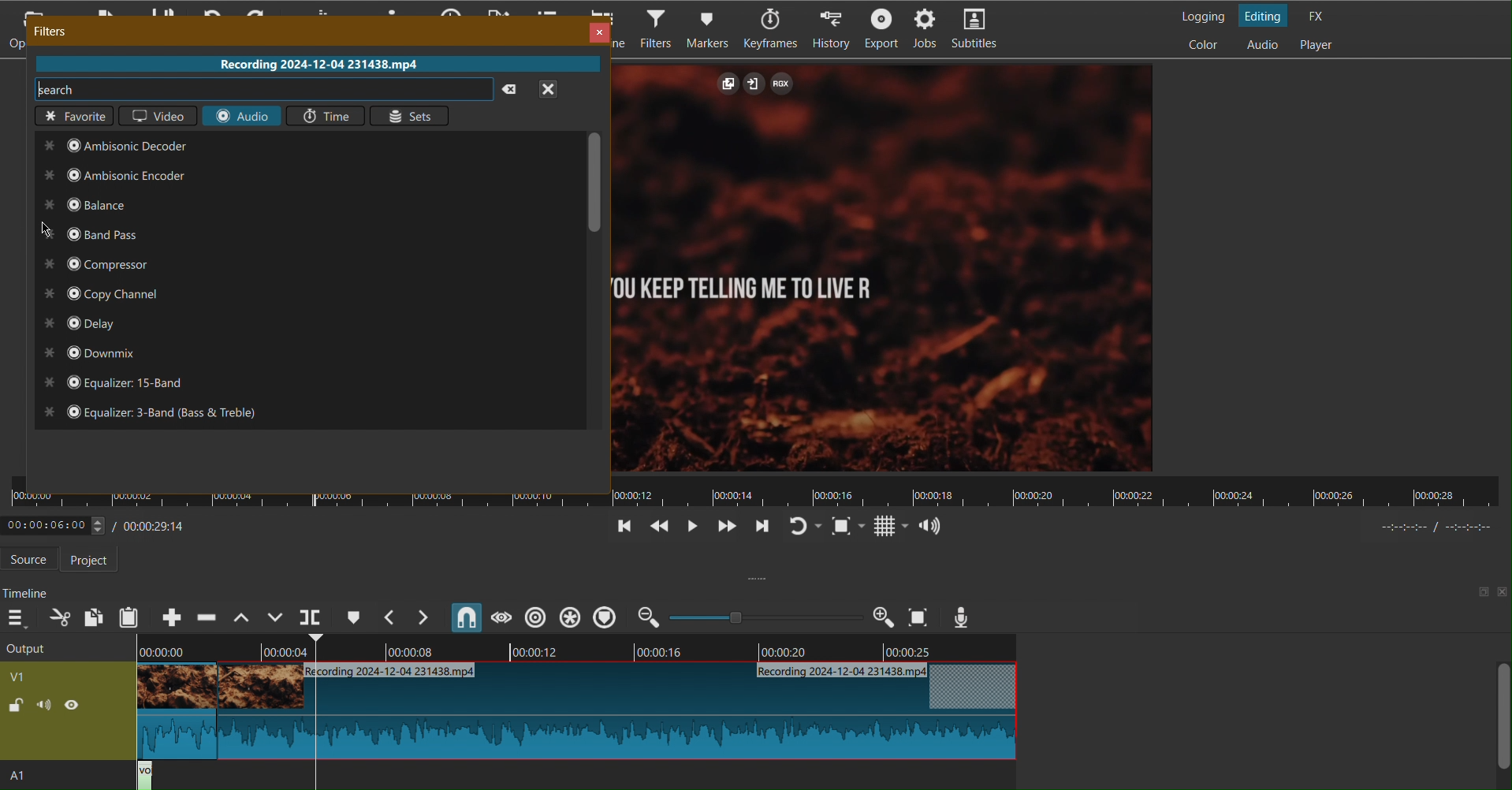 The width and height of the screenshot is (1512, 790). I want to click on clear, so click(512, 90).